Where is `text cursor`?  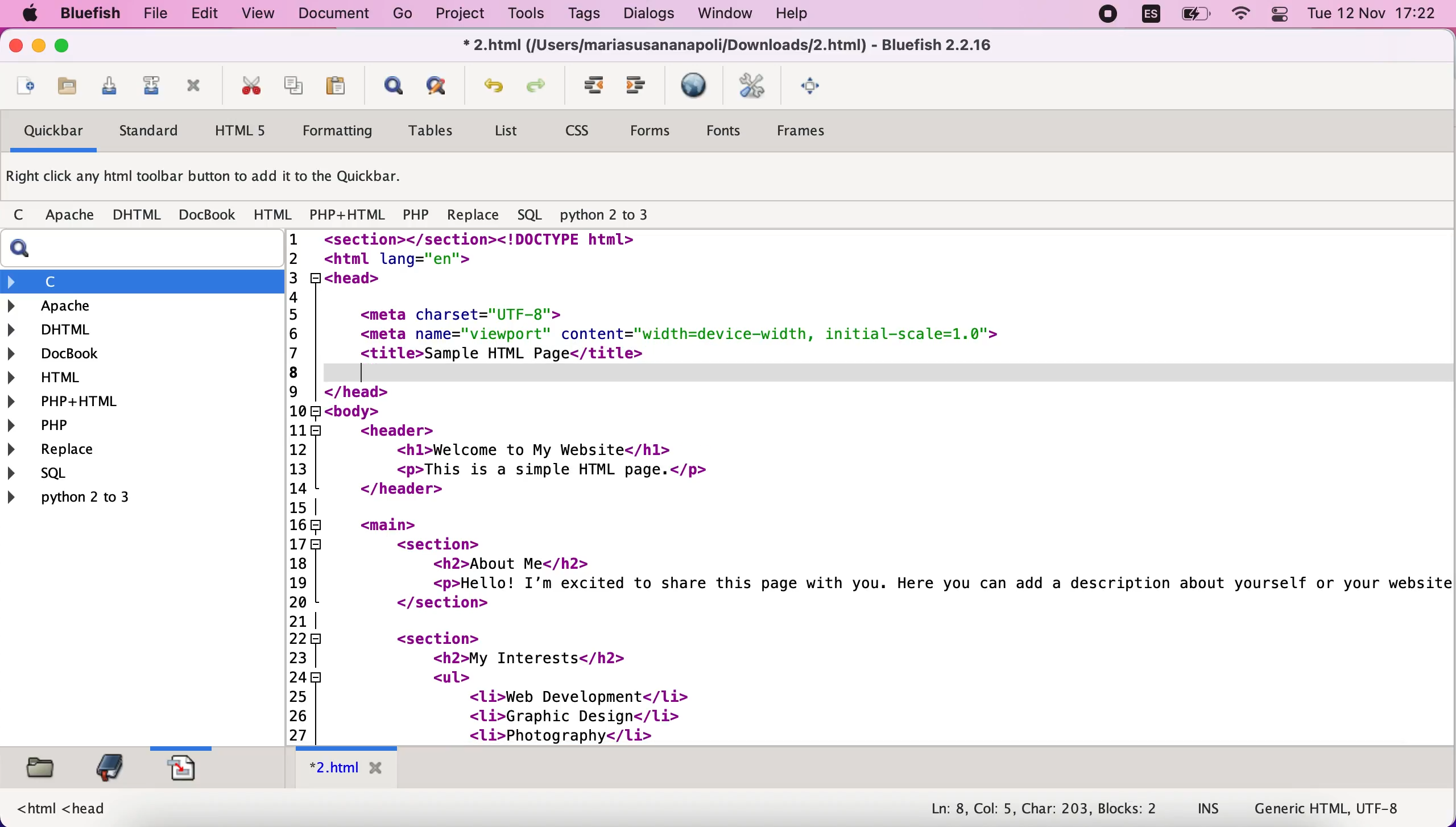
text cursor is located at coordinates (368, 373).